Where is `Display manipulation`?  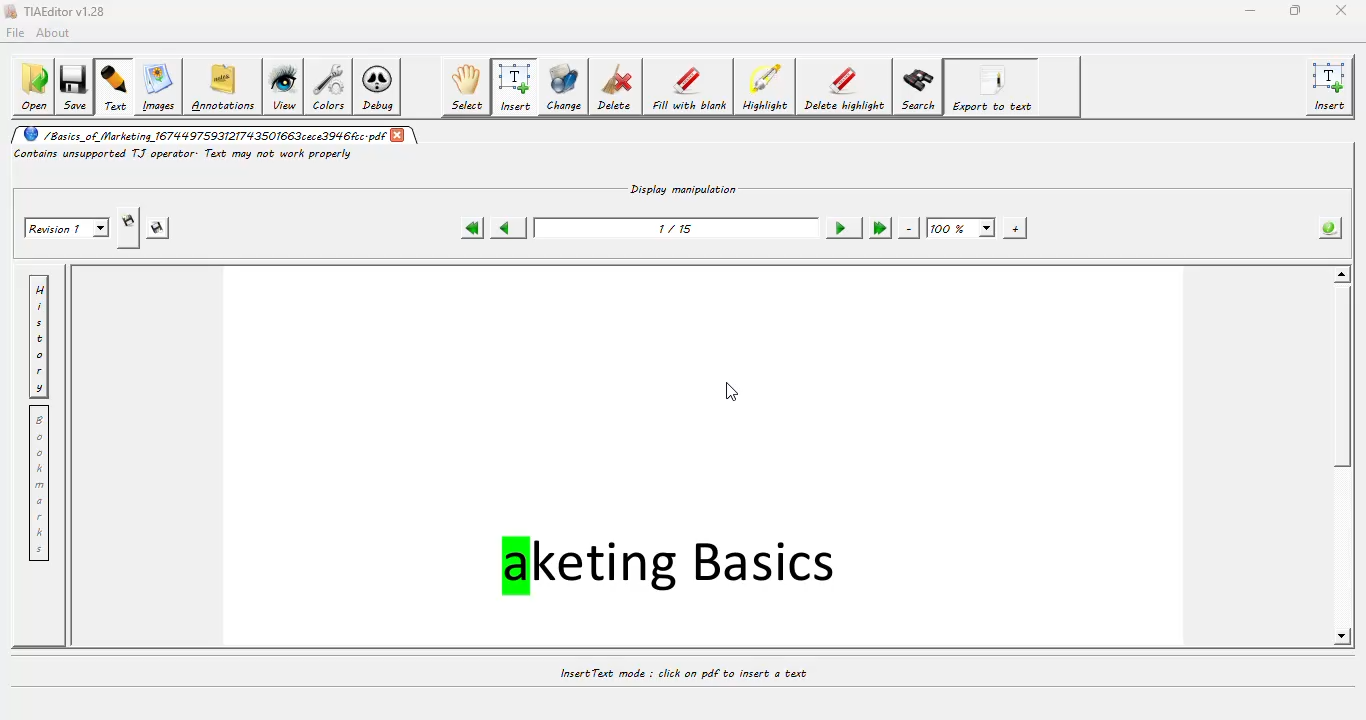
Display manipulation is located at coordinates (685, 187).